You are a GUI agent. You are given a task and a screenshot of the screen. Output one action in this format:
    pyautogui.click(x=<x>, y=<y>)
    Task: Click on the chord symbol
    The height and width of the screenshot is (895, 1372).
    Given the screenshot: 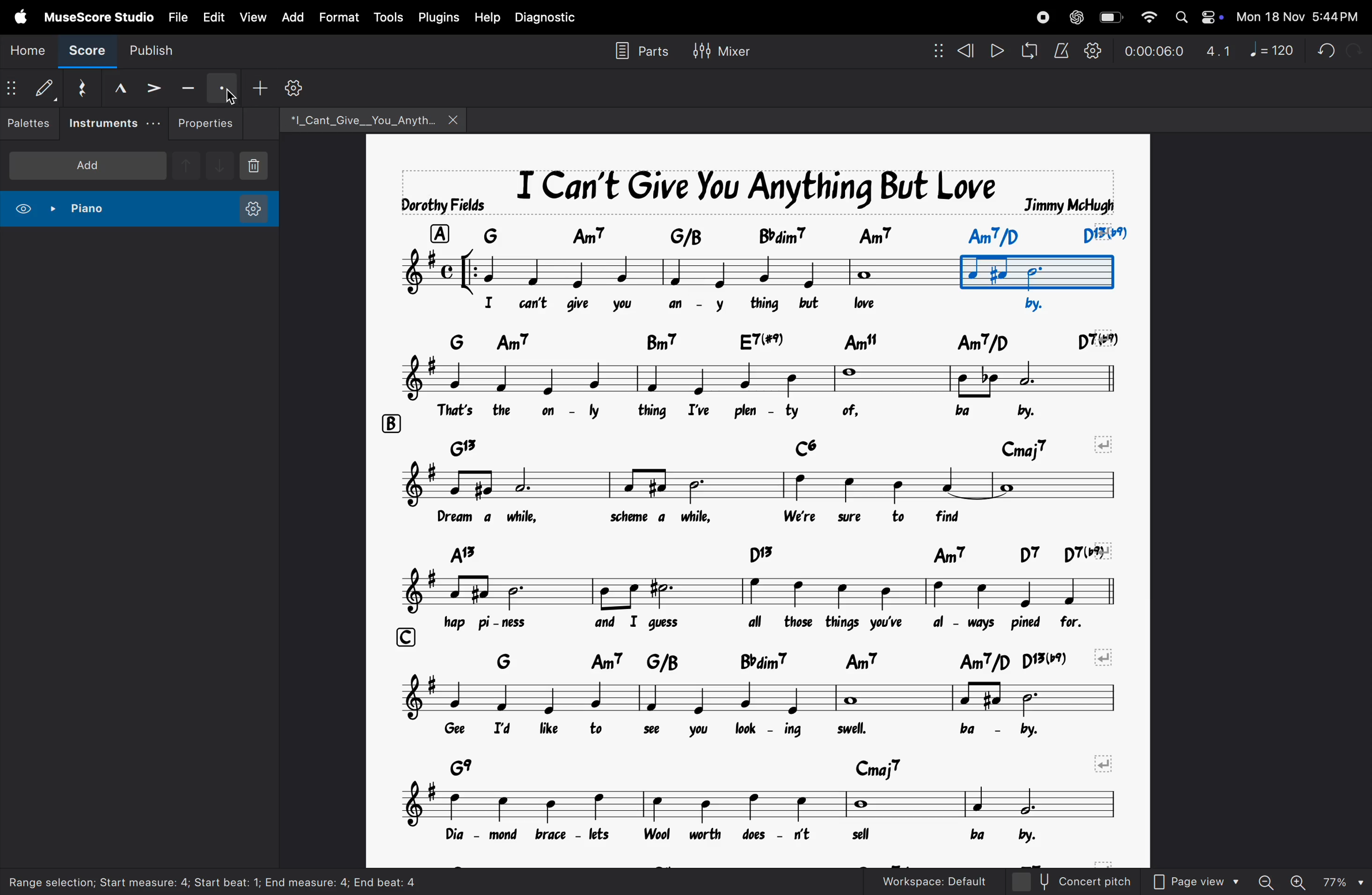 What is the action you would take?
    pyautogui.click(x=775, y=551)
    